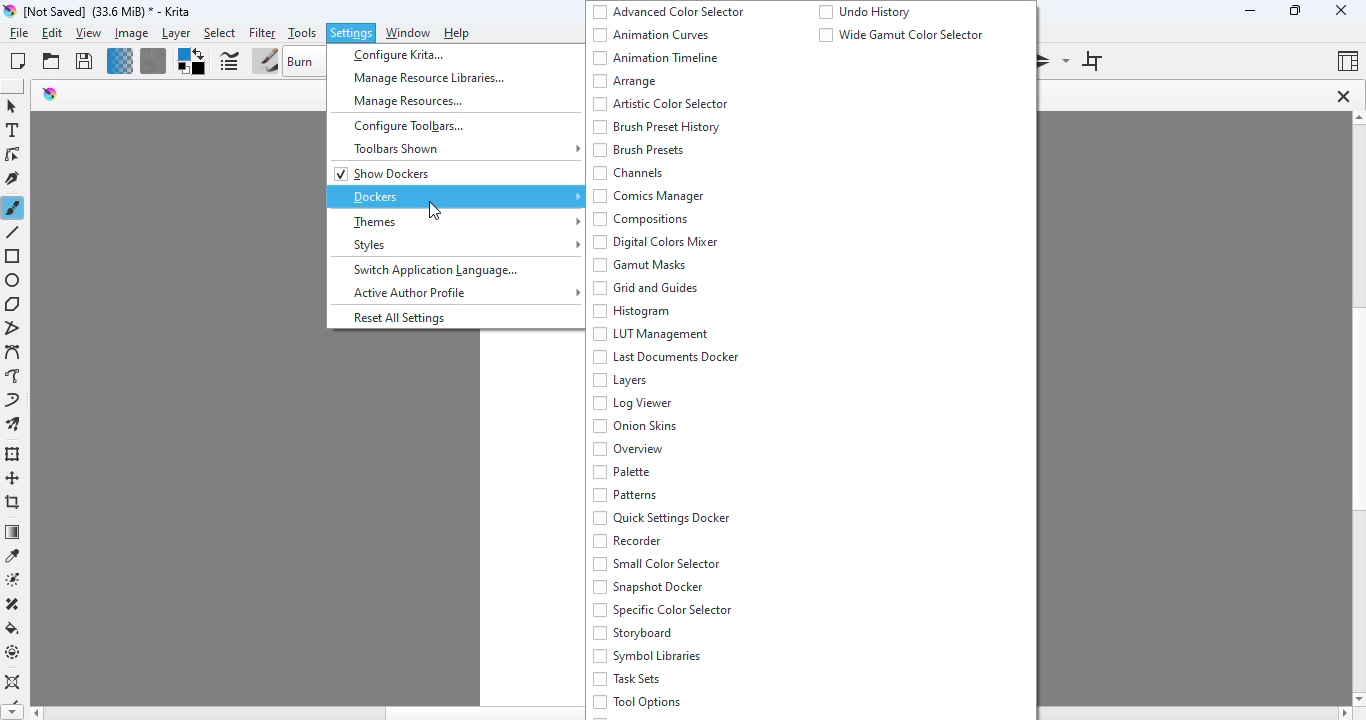 The height and width of the screenshot is (720, 1366). Describe the element at coordinates (629, 173) in the screenshot. I see `channels` at that location.